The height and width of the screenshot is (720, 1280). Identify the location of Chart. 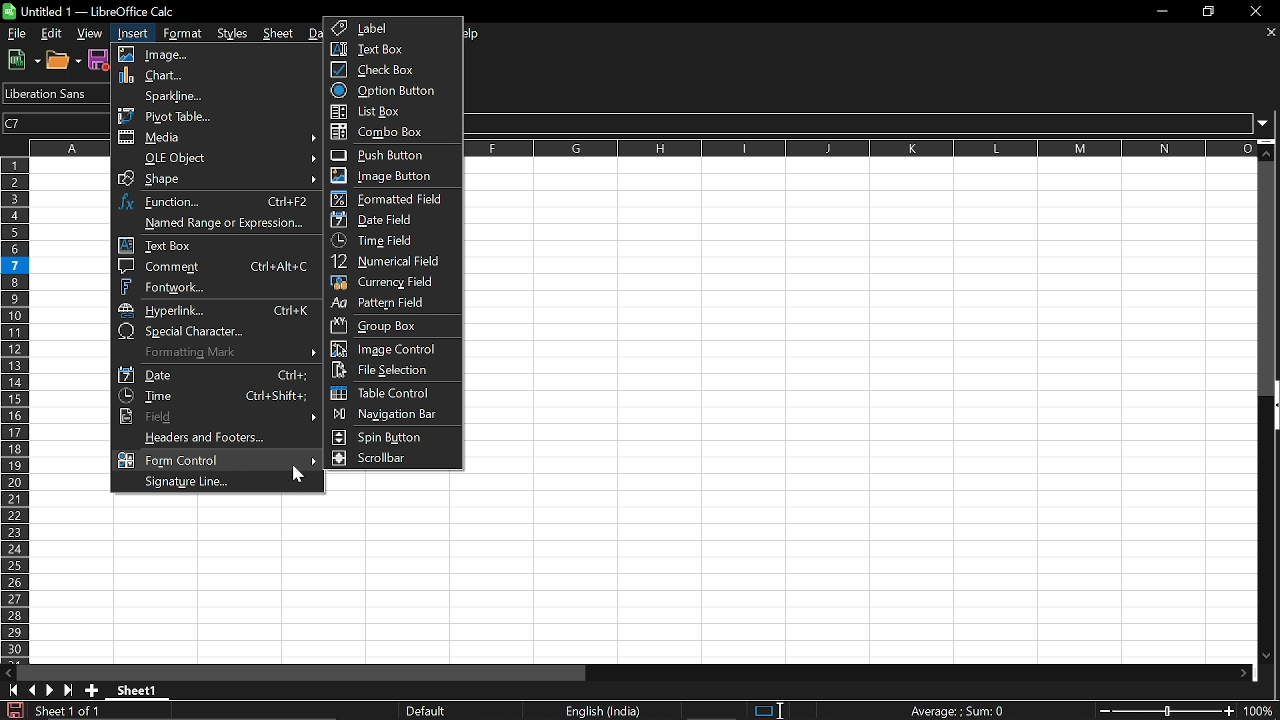
(213, 76).